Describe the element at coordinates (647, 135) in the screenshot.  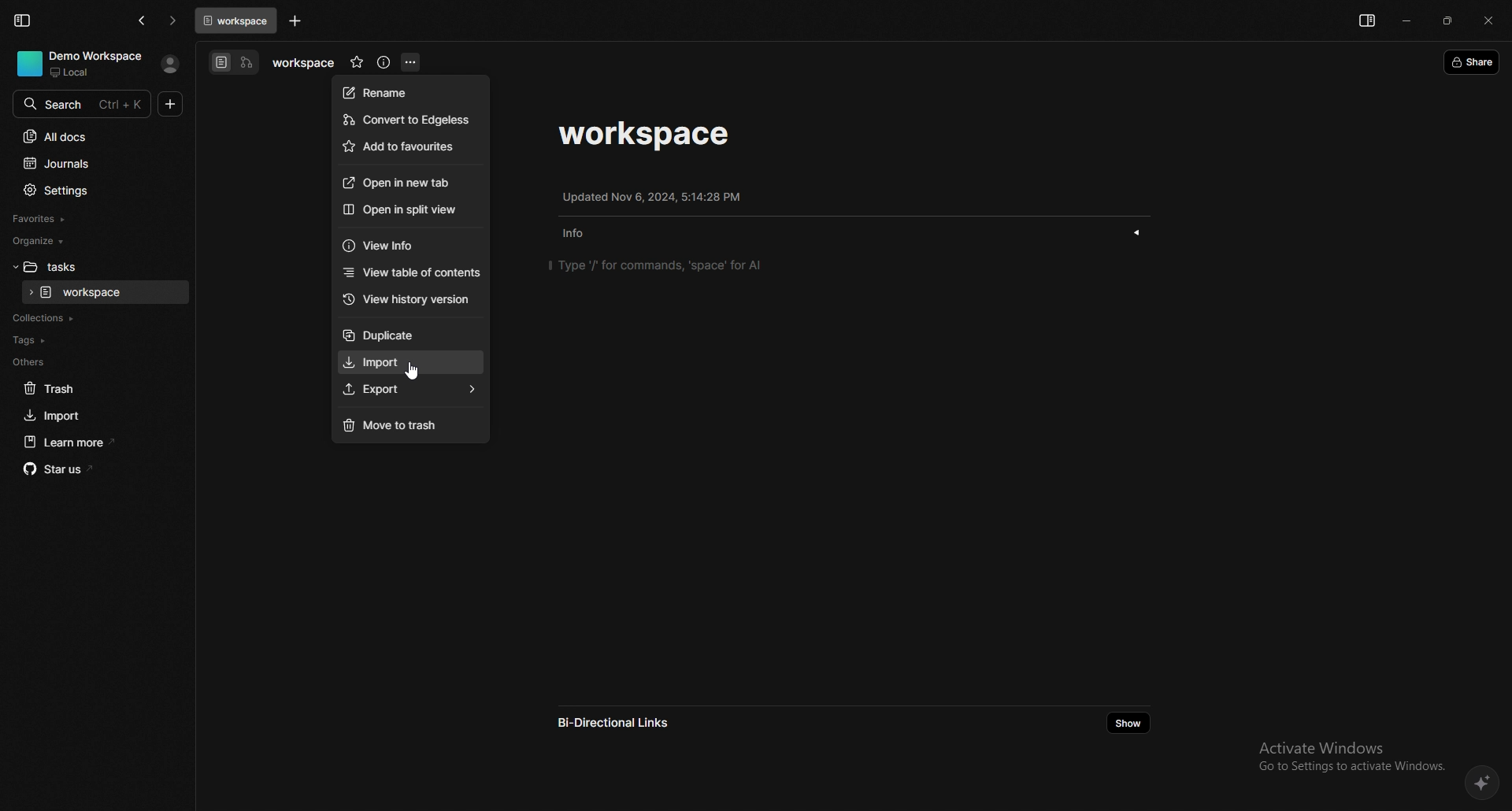
I see `task name` at that location.